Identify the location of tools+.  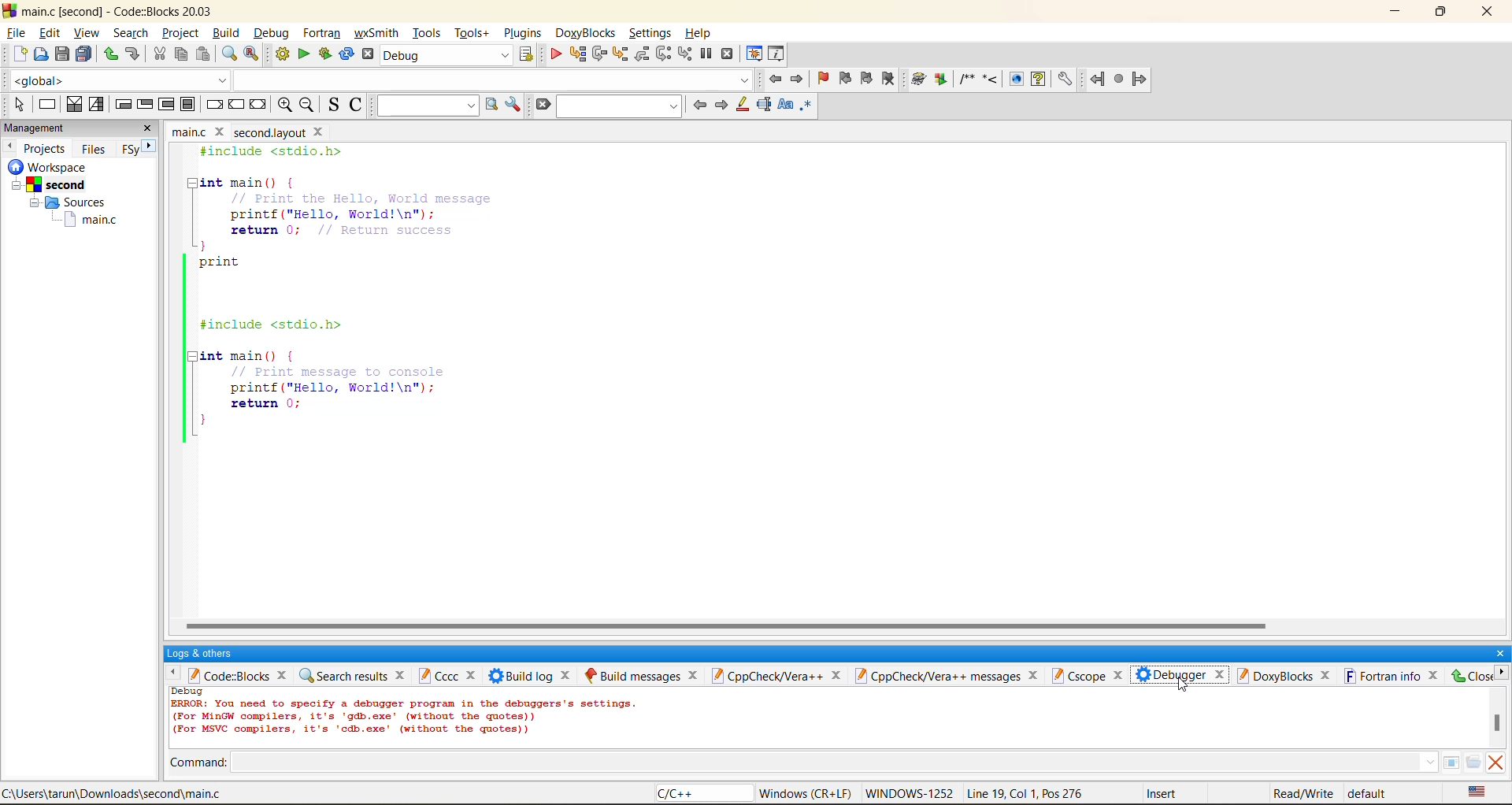
(472, 33).